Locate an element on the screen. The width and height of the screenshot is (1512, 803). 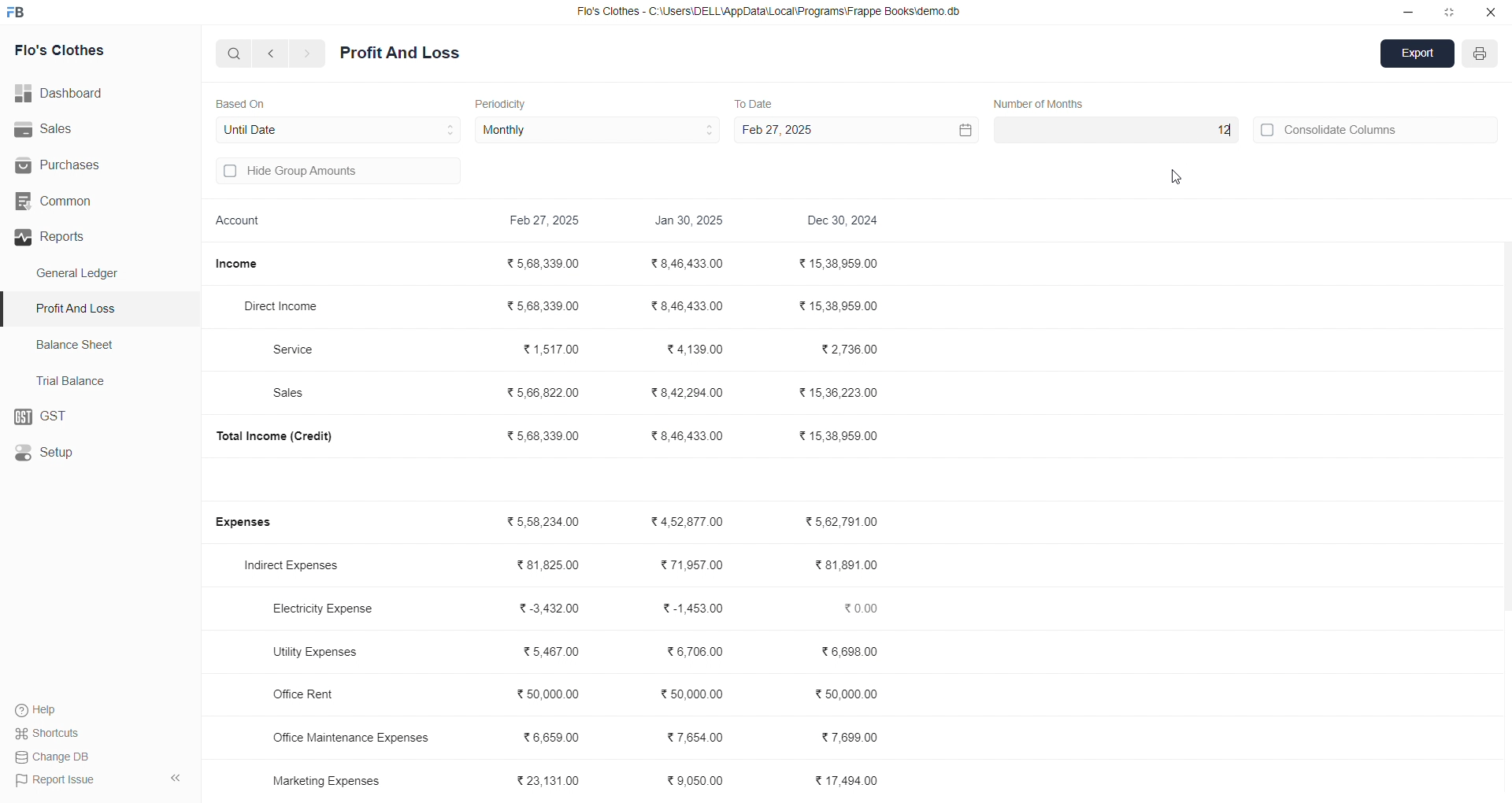
Dashboard is located at coordinates (67, 94).